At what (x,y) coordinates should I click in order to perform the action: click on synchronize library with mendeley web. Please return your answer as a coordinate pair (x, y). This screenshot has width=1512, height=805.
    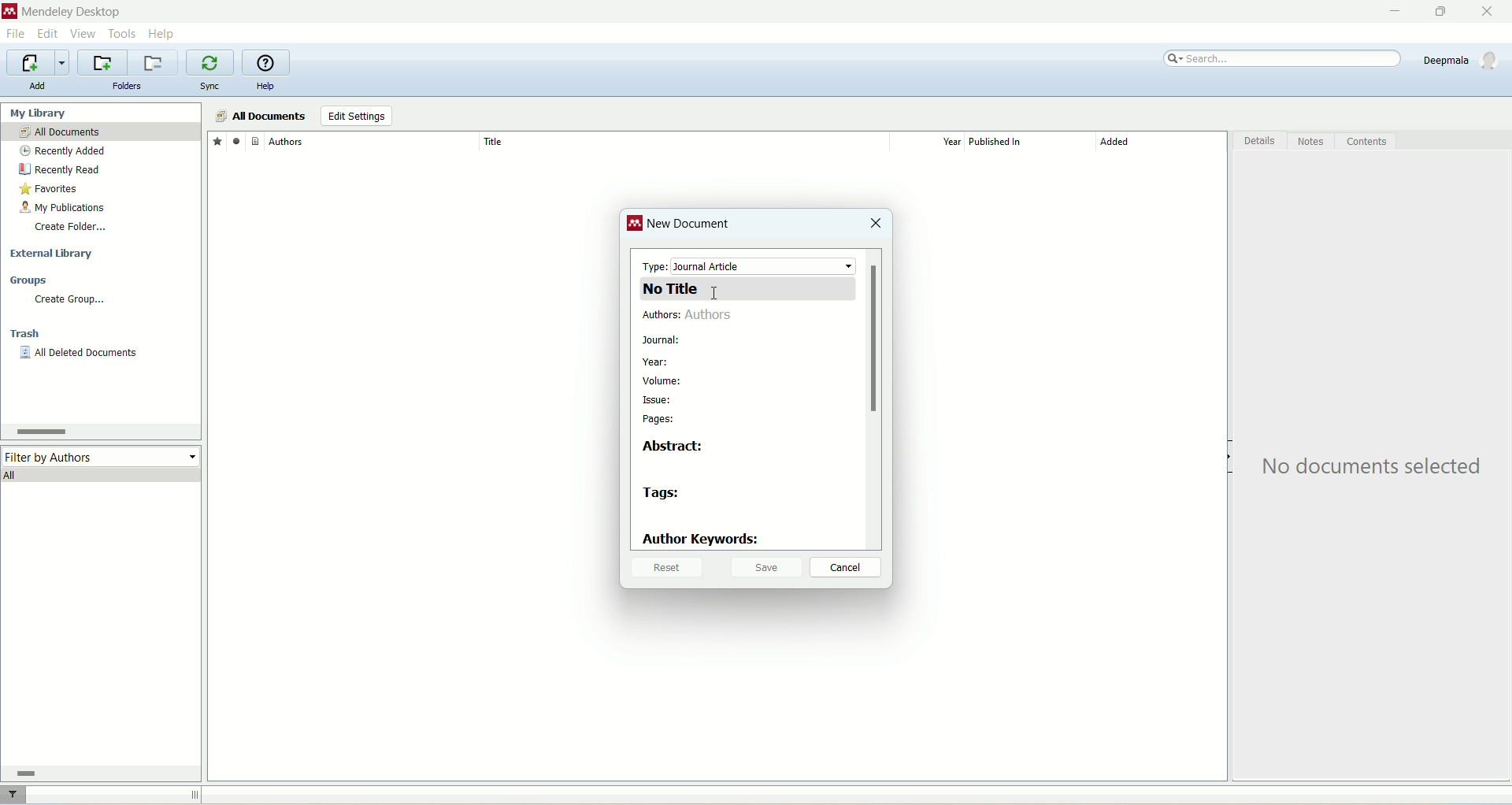
    Looking at the image, I should click on (212, 63).